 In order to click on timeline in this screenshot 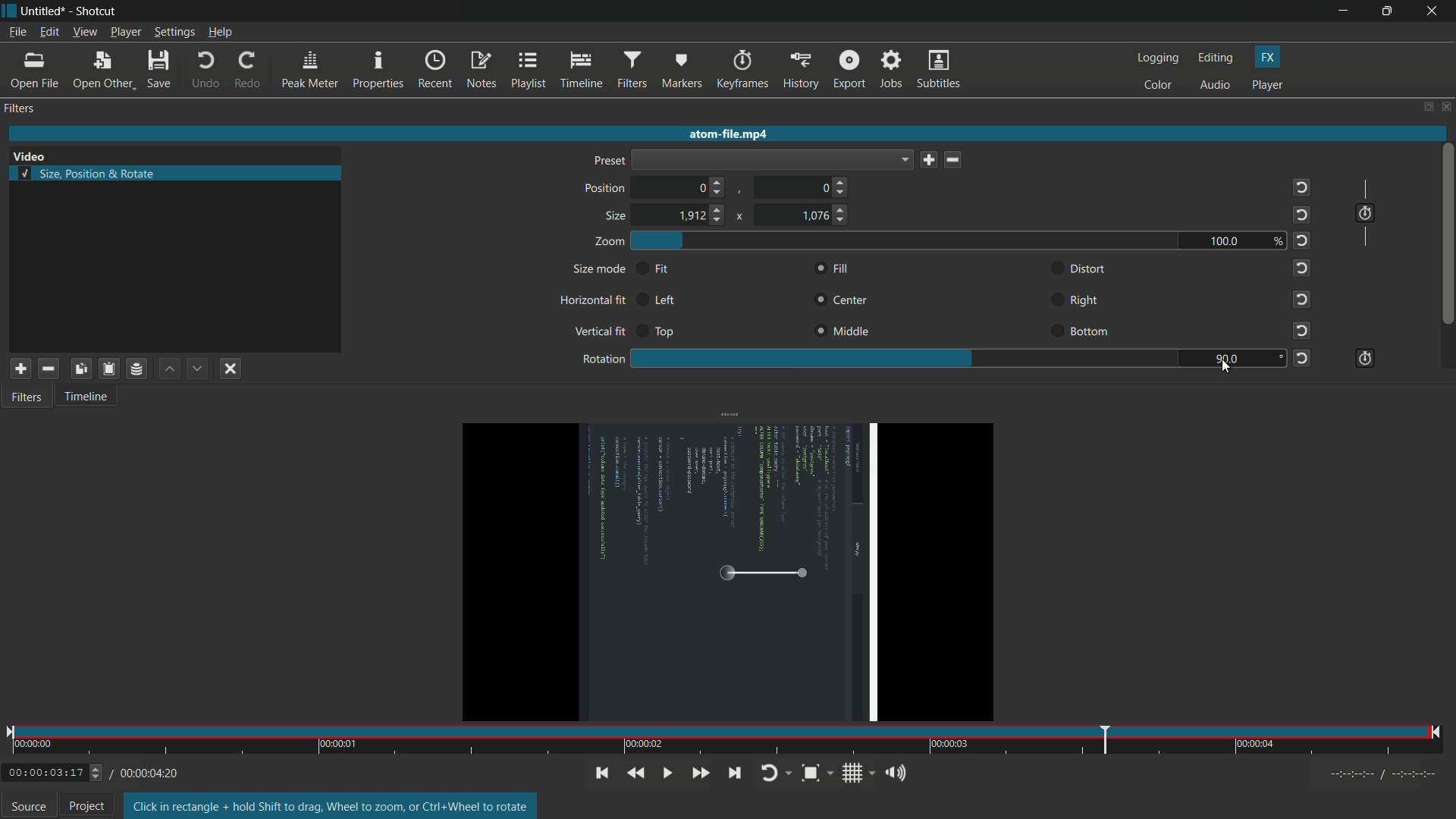, I will do `click(579, 71)`.